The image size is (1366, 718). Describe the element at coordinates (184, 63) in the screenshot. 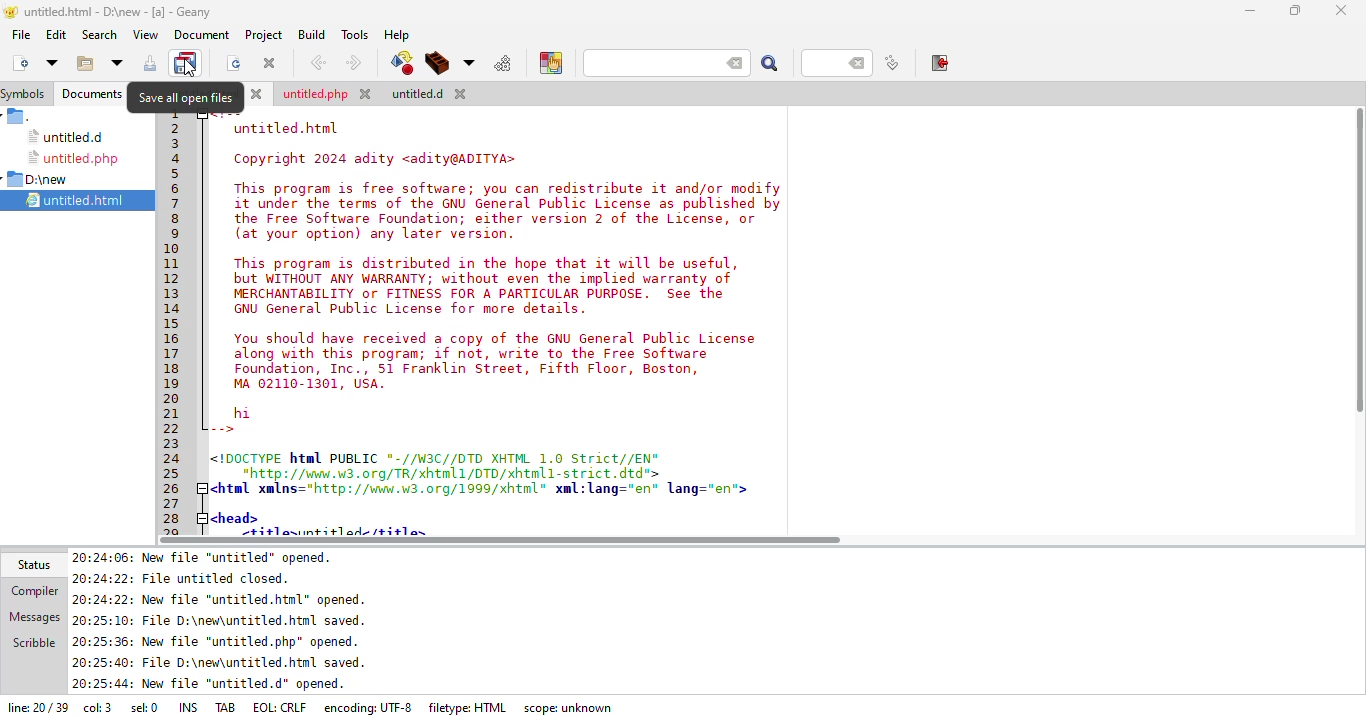

I see `save all open` at that location.